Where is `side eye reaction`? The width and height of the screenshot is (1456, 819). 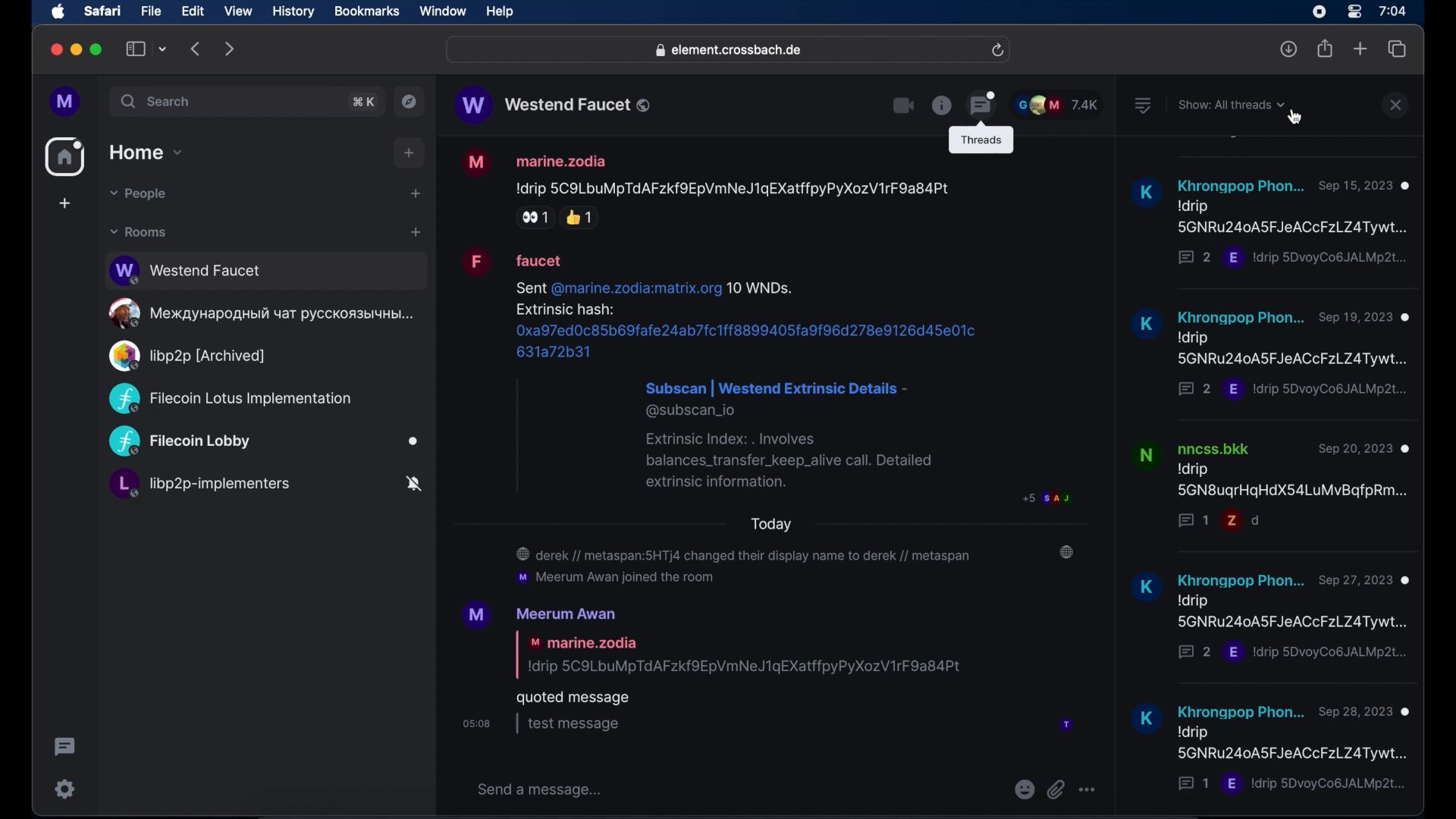 side eye reaction is located at coordinates (538, 218).